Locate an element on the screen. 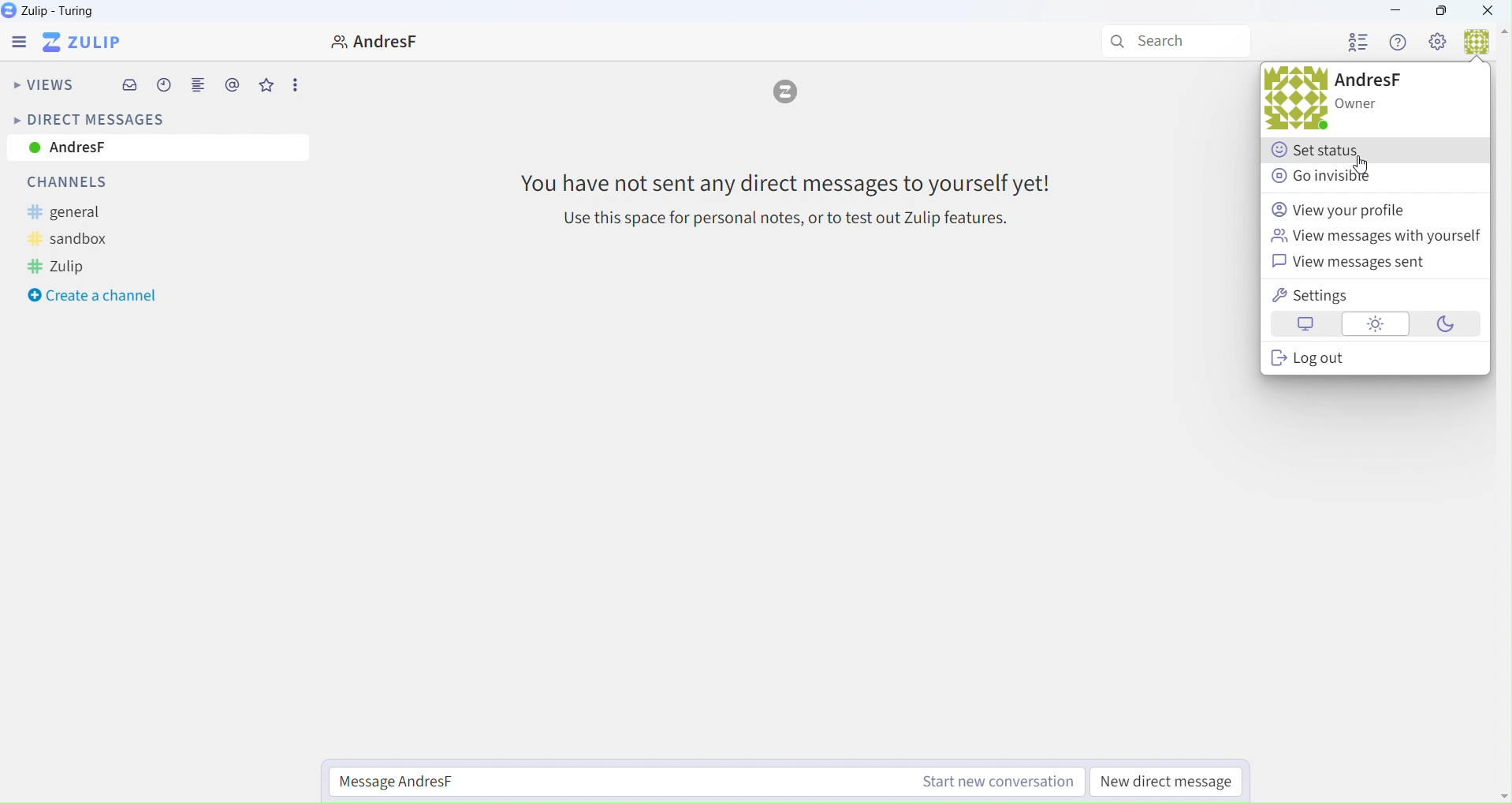 The width and height of the screenshot is (1512, 803). New Direct Message is located at coordinates (1170, 782).